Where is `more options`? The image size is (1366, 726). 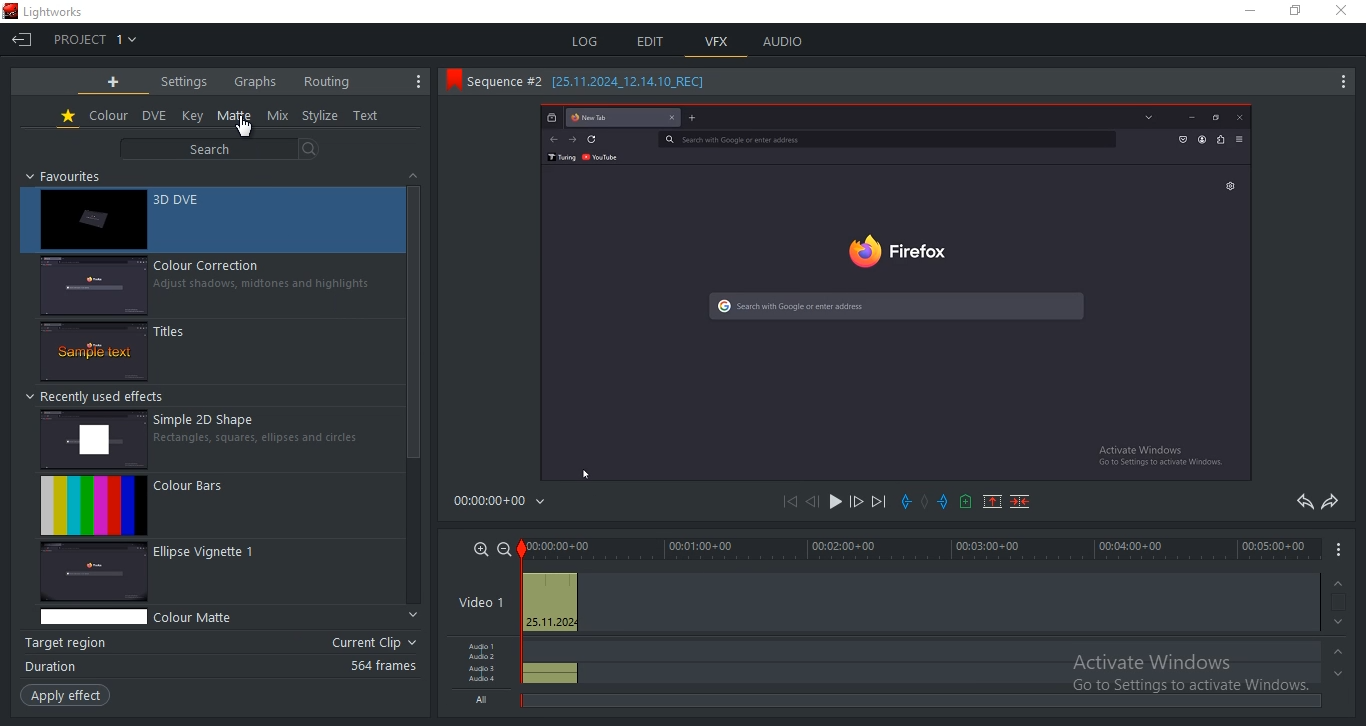 more options is located at coordinates (1340, 85).